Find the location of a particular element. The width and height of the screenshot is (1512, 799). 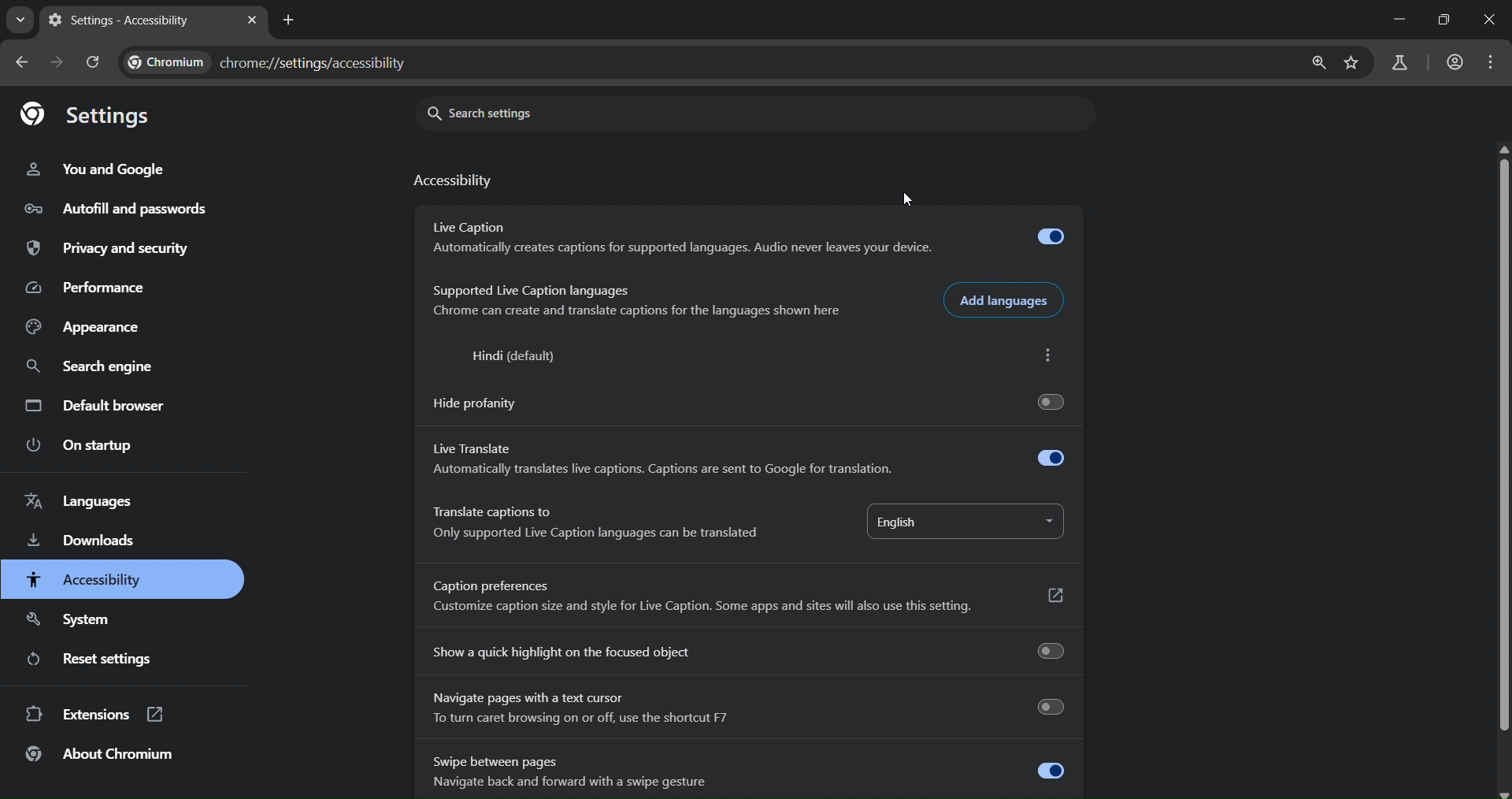

english is located at coordinates (965, 522).